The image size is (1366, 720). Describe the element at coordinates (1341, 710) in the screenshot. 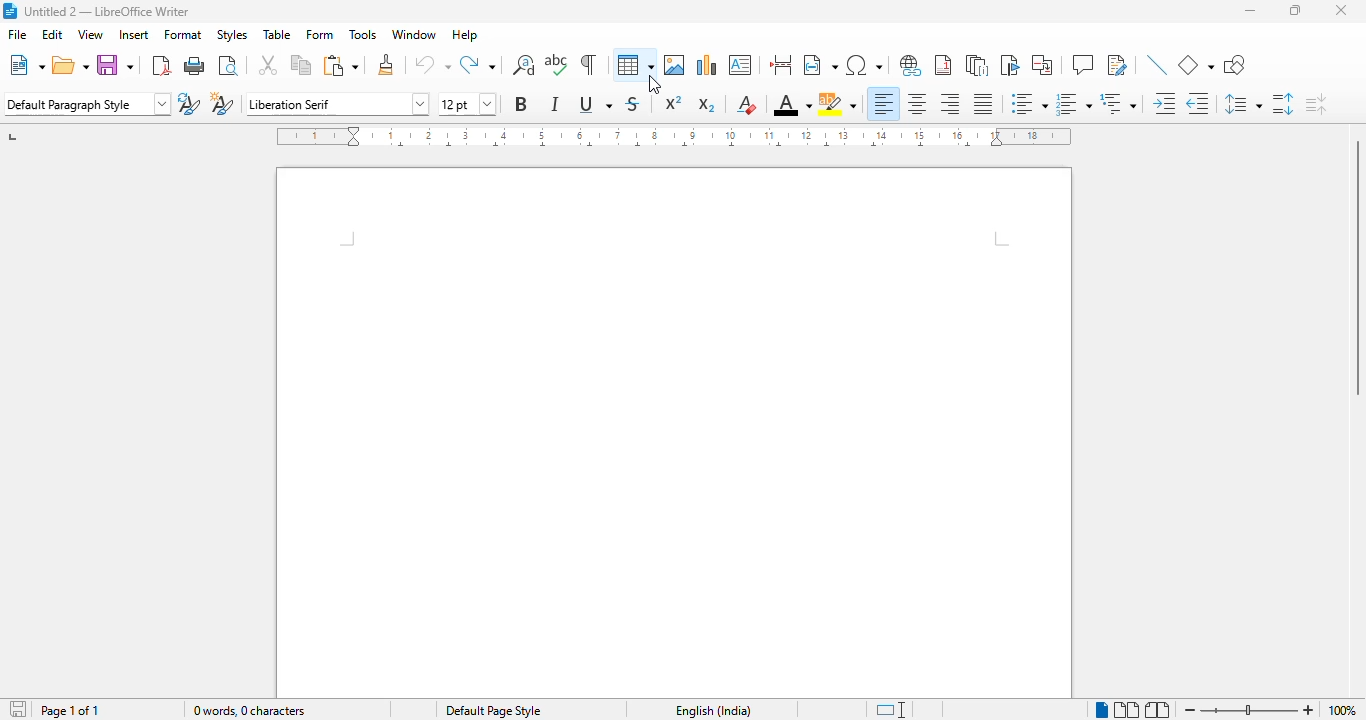

I see `zoom factor` at that location.